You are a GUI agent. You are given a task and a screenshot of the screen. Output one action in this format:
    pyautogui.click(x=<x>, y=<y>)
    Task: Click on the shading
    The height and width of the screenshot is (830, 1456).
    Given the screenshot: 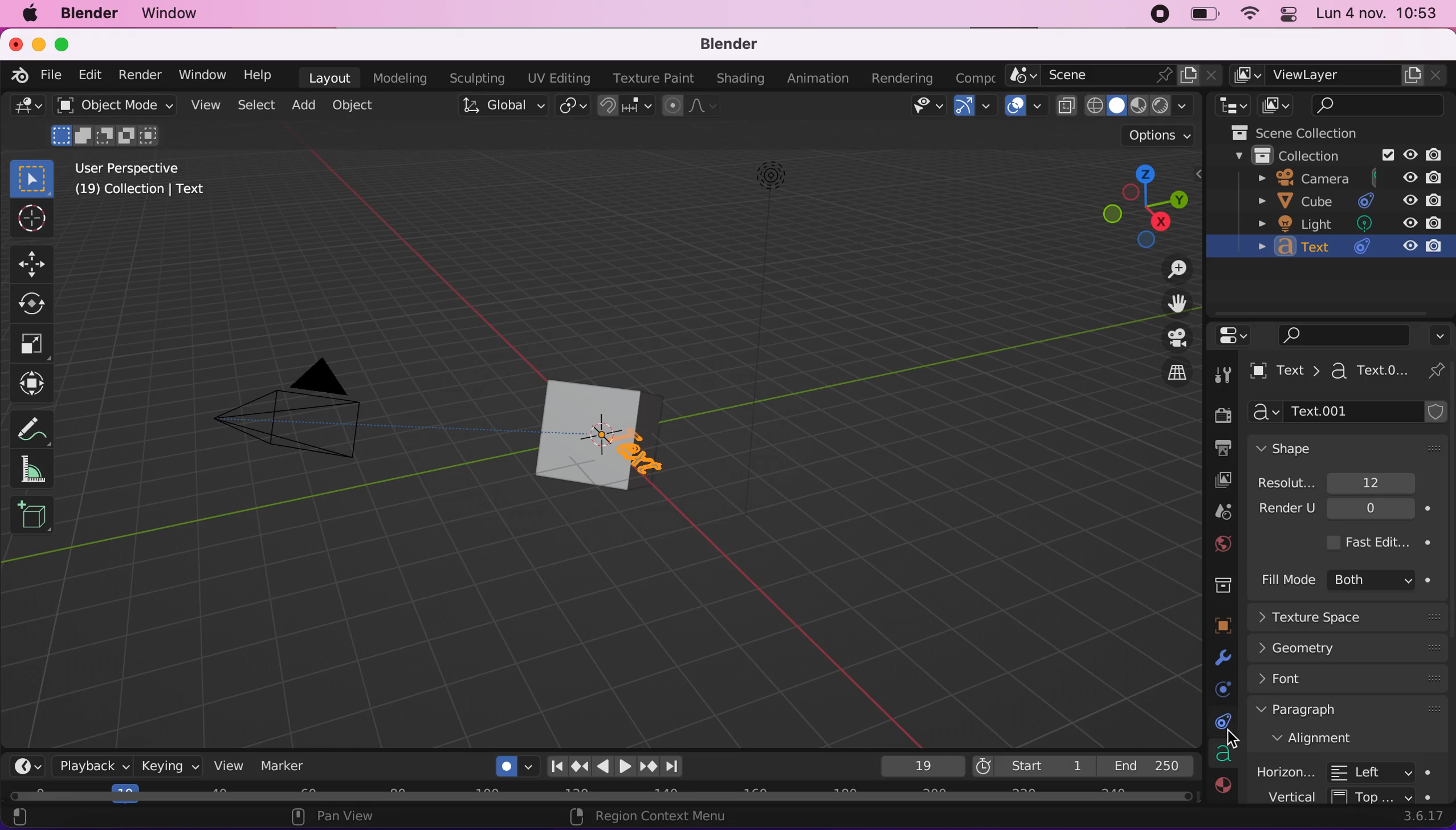 What is the action you would take?
    pyautogui.click(x=740, y=79)
    